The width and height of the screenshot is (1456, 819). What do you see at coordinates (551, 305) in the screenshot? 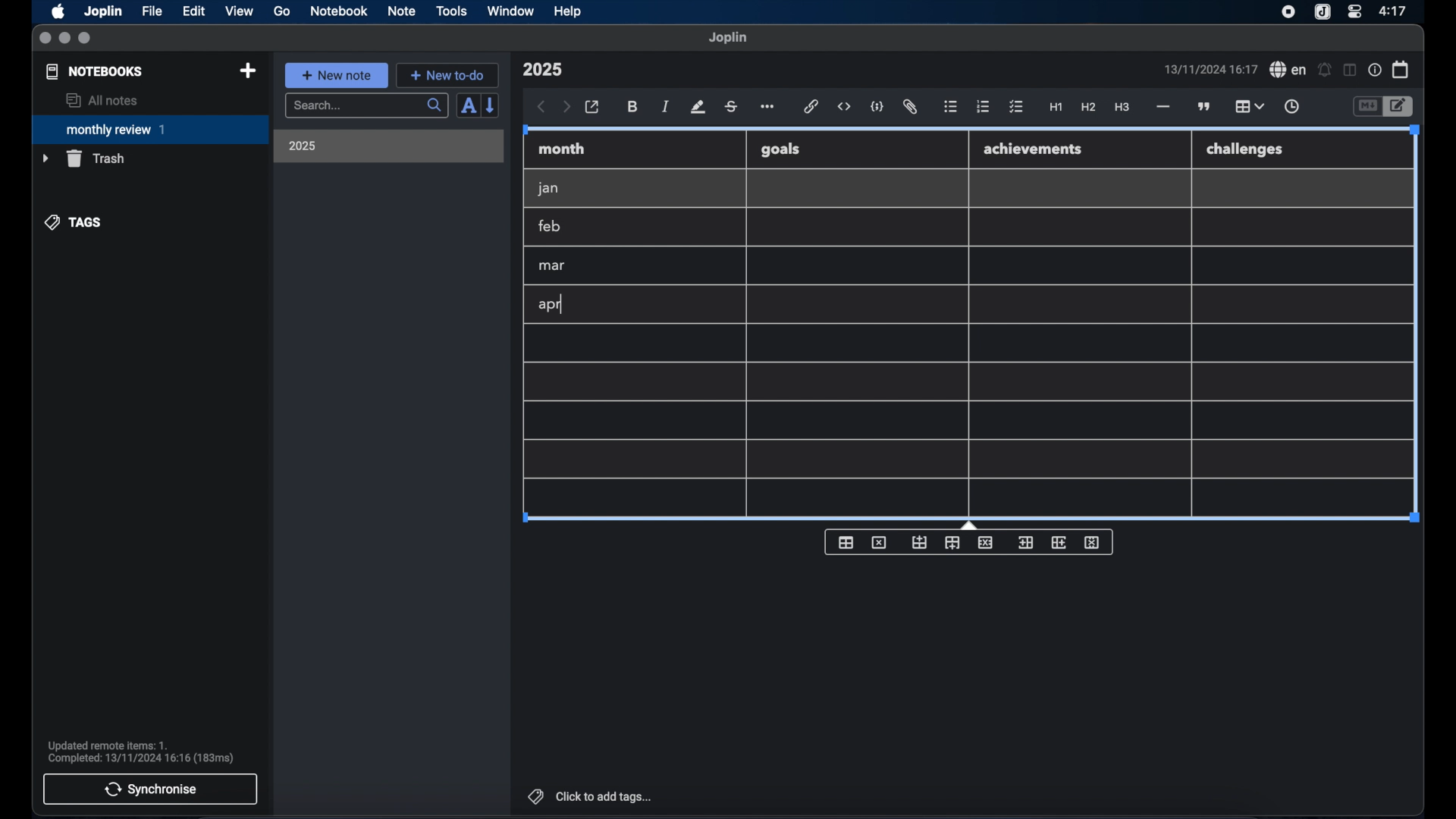
I see `apr` at bounding box center [551, 305].